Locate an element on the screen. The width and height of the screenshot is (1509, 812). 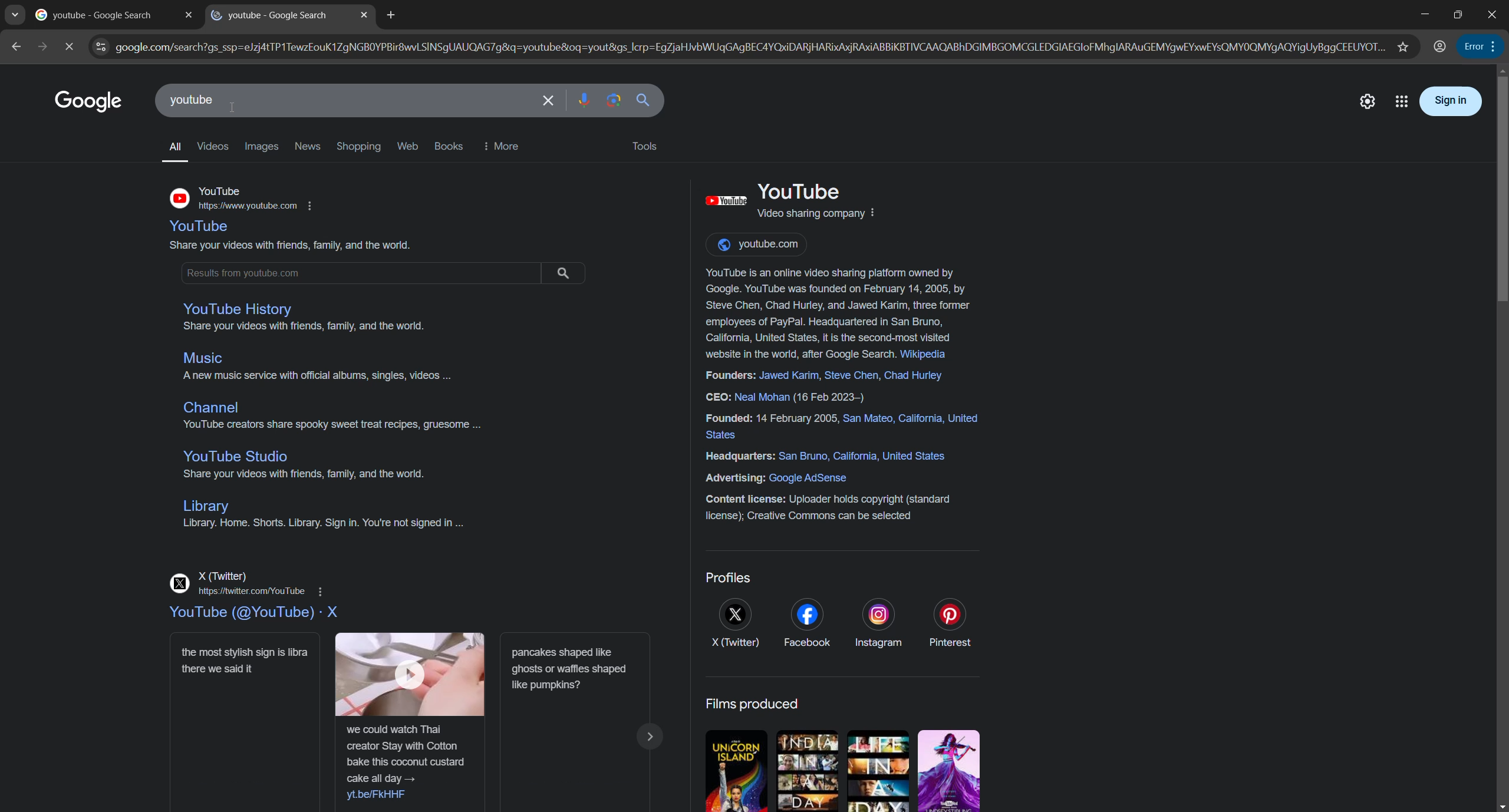
youtube history is located at coordinates (238, 310).